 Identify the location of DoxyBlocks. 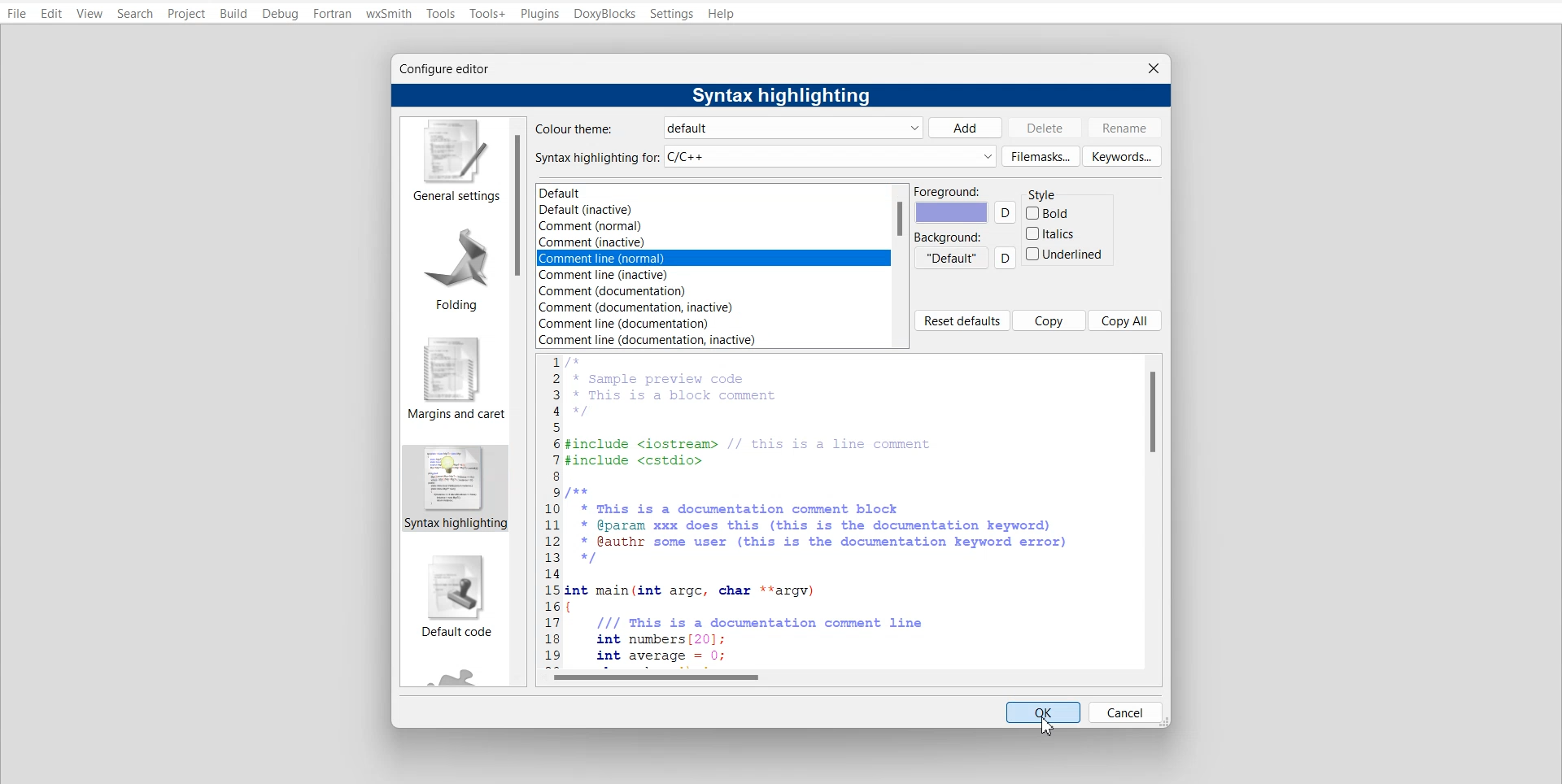
(605, 14).